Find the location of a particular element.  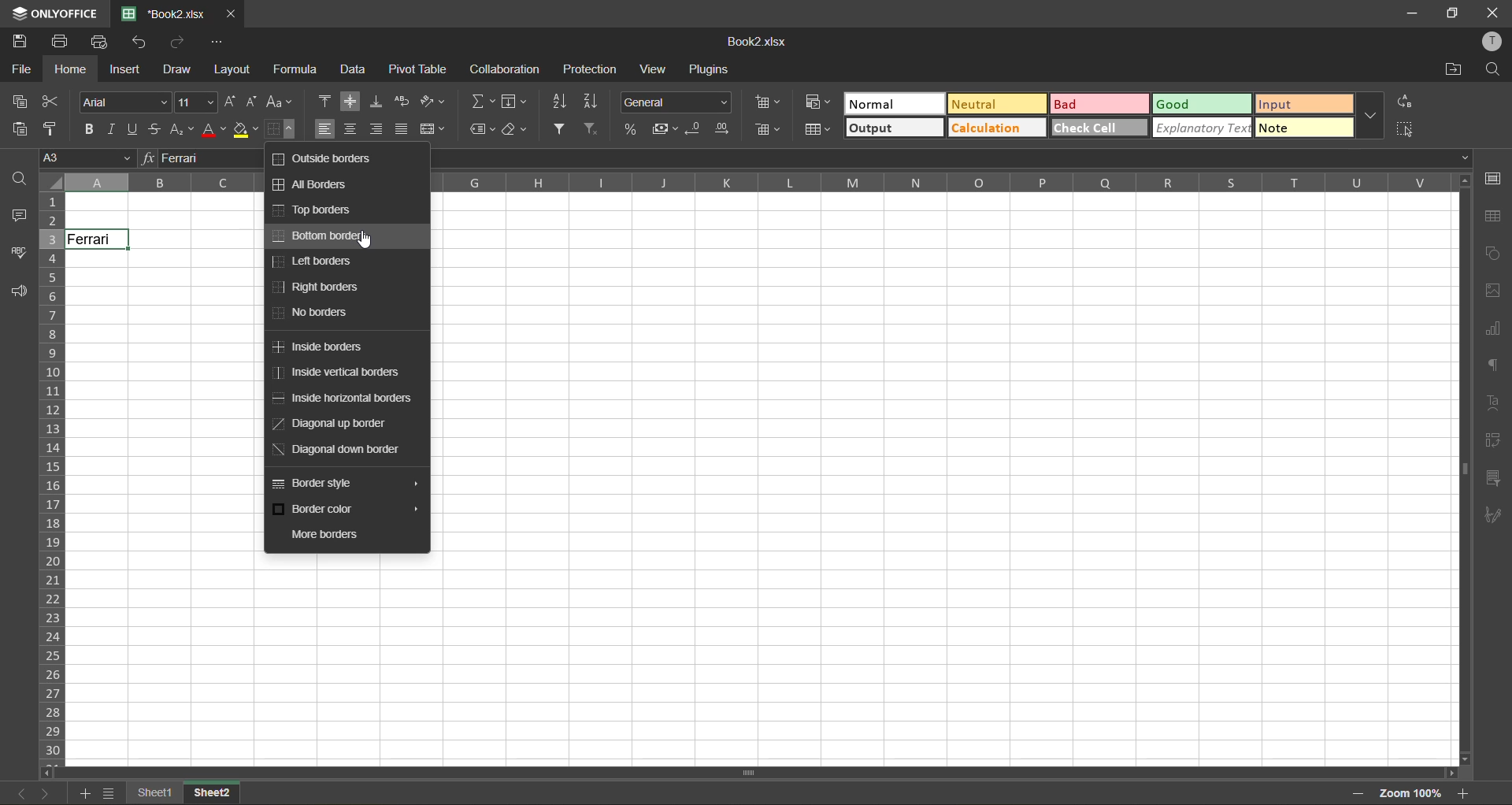

cut is located at coordinates (54, 102).